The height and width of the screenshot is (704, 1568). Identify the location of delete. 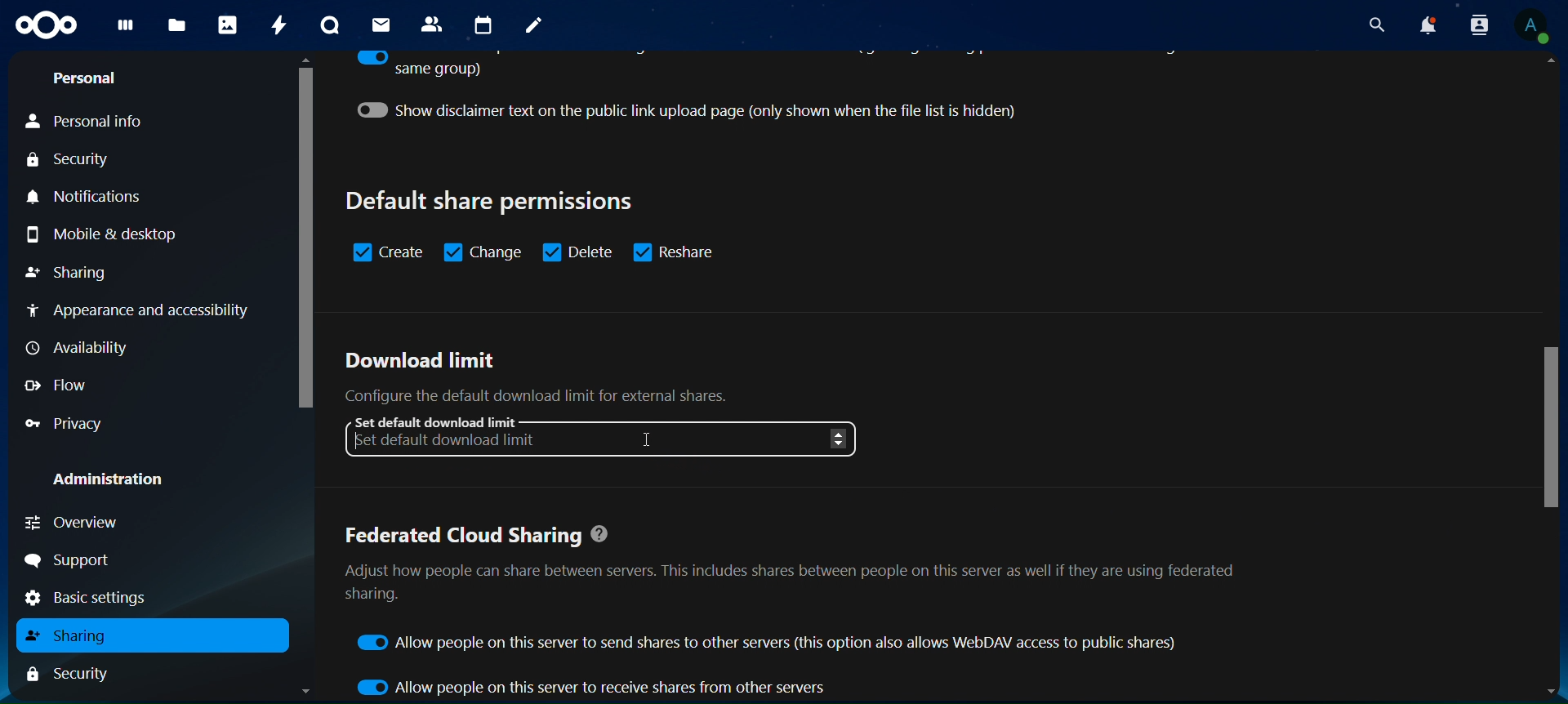
(577, 251).